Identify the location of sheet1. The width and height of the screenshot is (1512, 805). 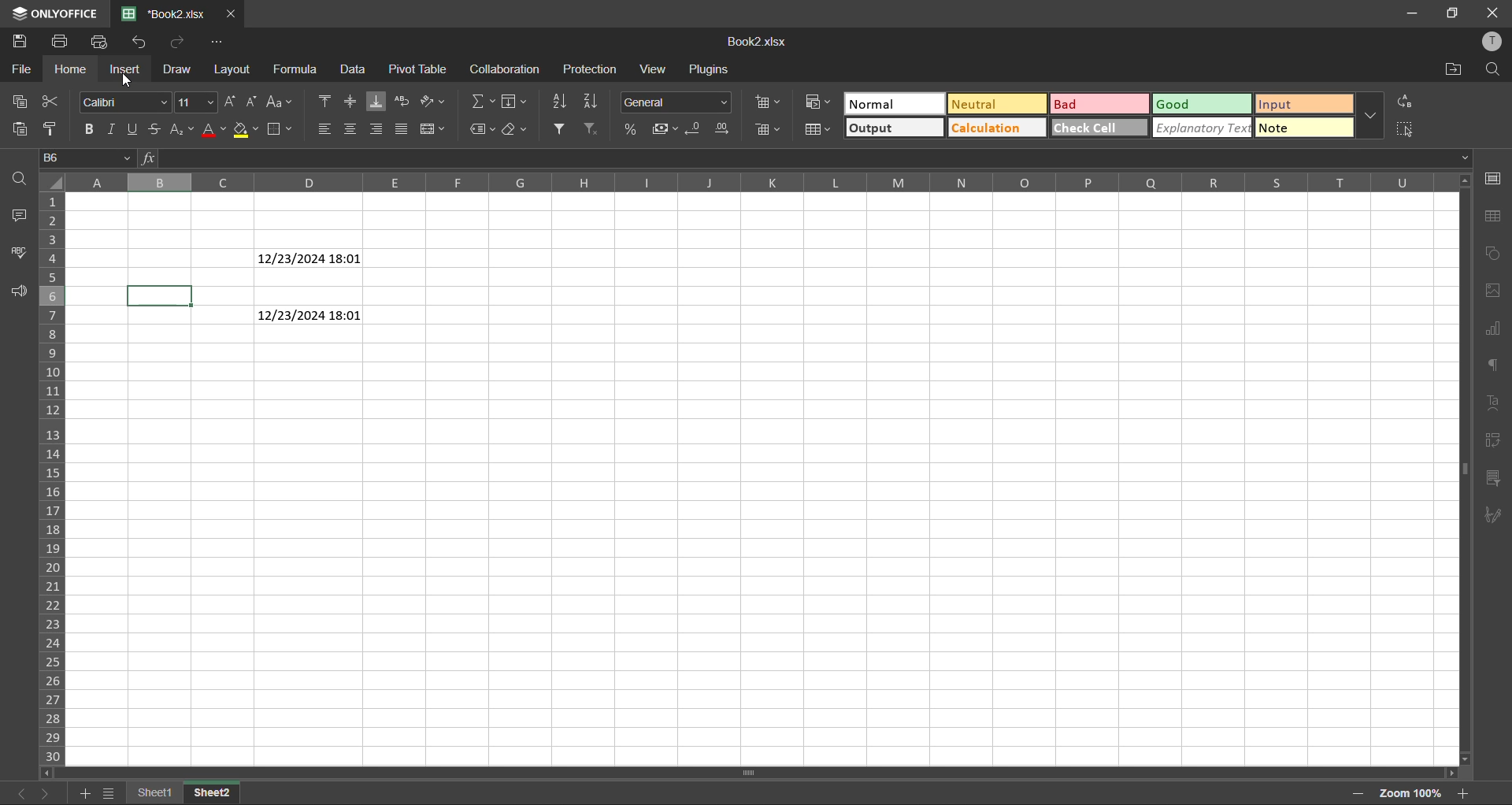
(157, 793).